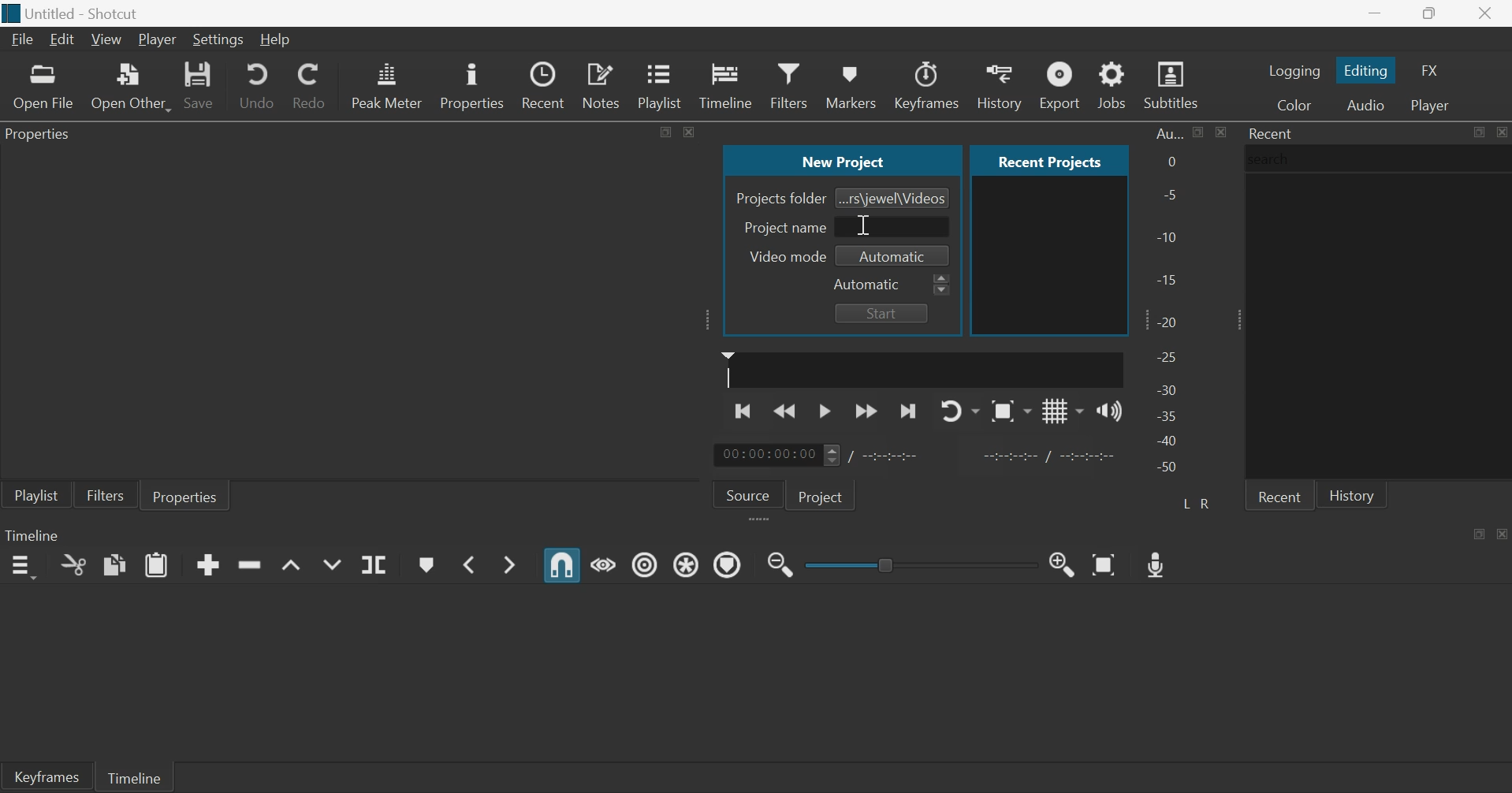  Describe the element at coordinates (308, 83) in the screenshot. I see `Redo` at that location.